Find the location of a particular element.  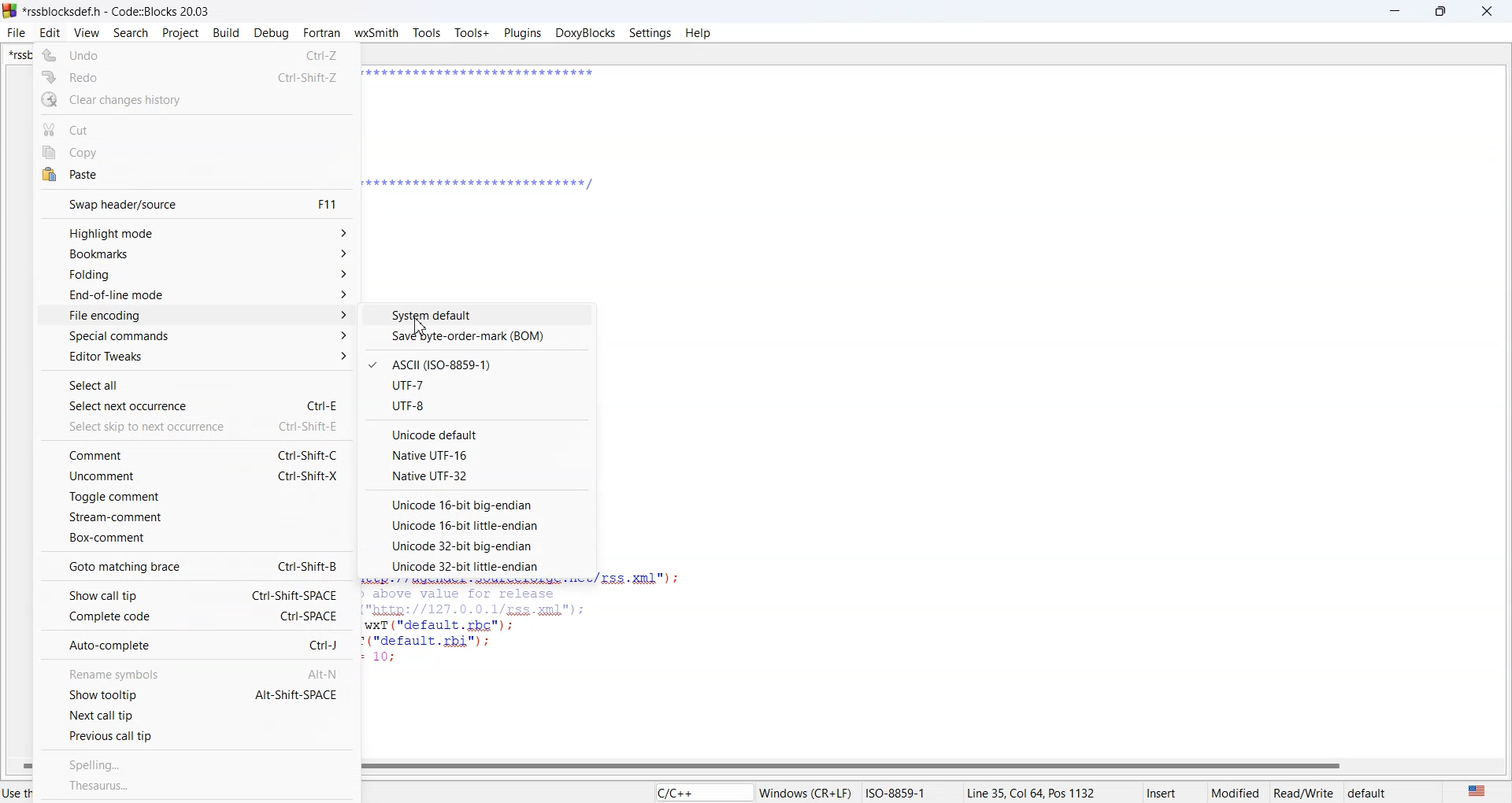

Box-comment is located at coordinates (195, 538).